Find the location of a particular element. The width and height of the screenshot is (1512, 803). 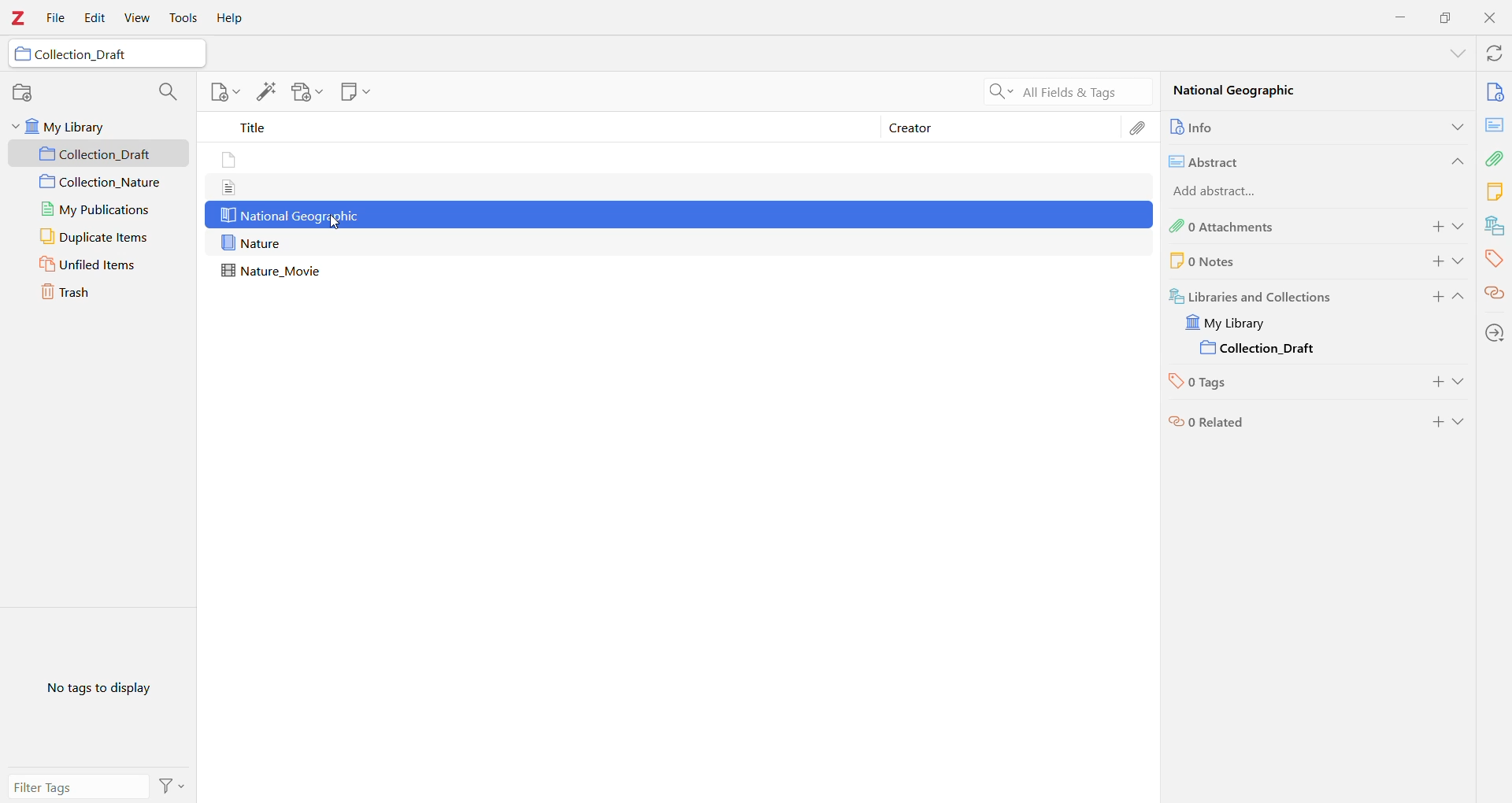

Filter Tags is located at coordinates (77, 786).